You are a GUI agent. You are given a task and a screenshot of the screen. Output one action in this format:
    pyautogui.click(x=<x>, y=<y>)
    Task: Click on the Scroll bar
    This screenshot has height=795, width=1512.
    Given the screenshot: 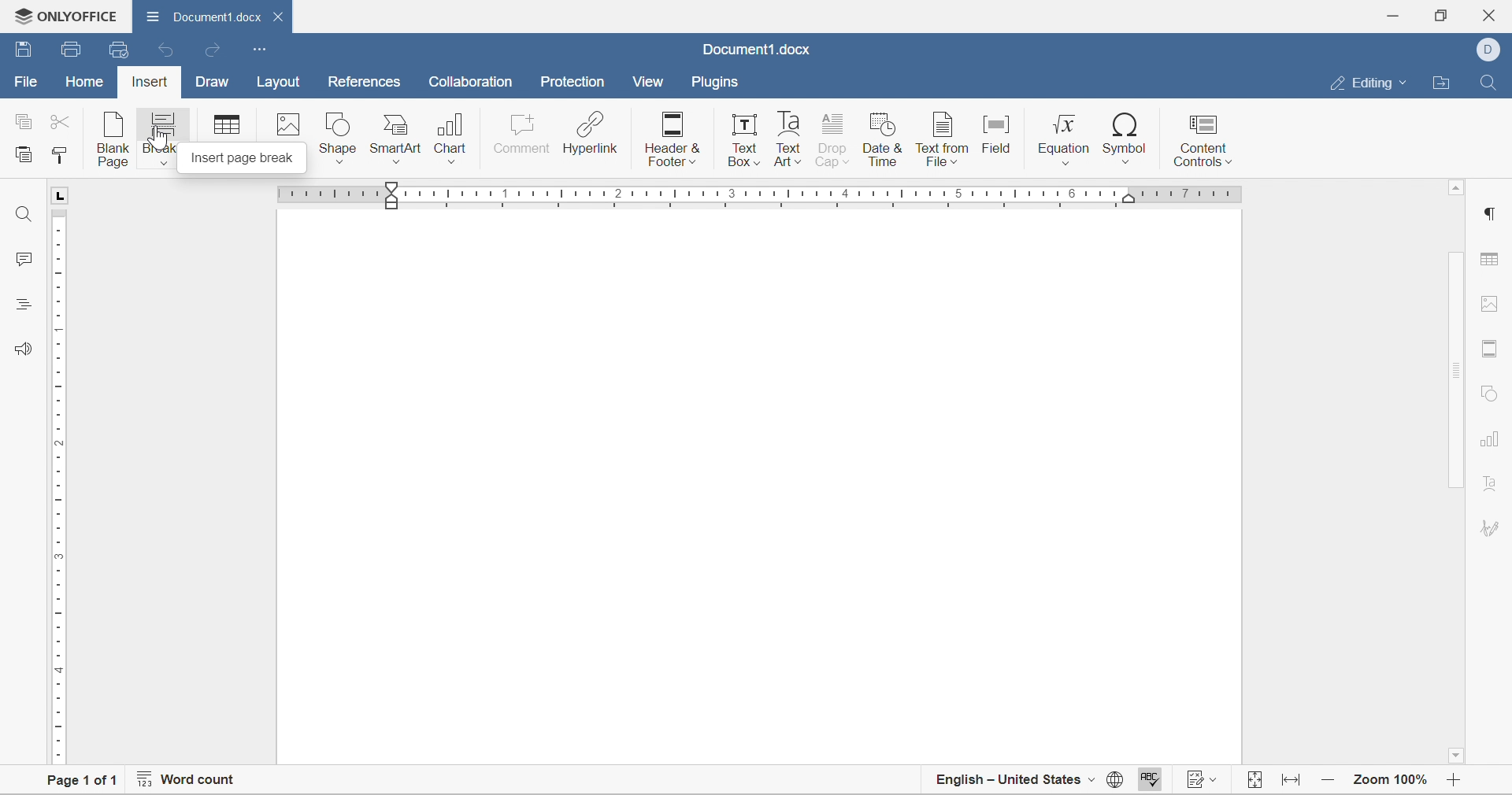 What is the action you would take?
    pyautogui.click(x=1458, y=370)
    